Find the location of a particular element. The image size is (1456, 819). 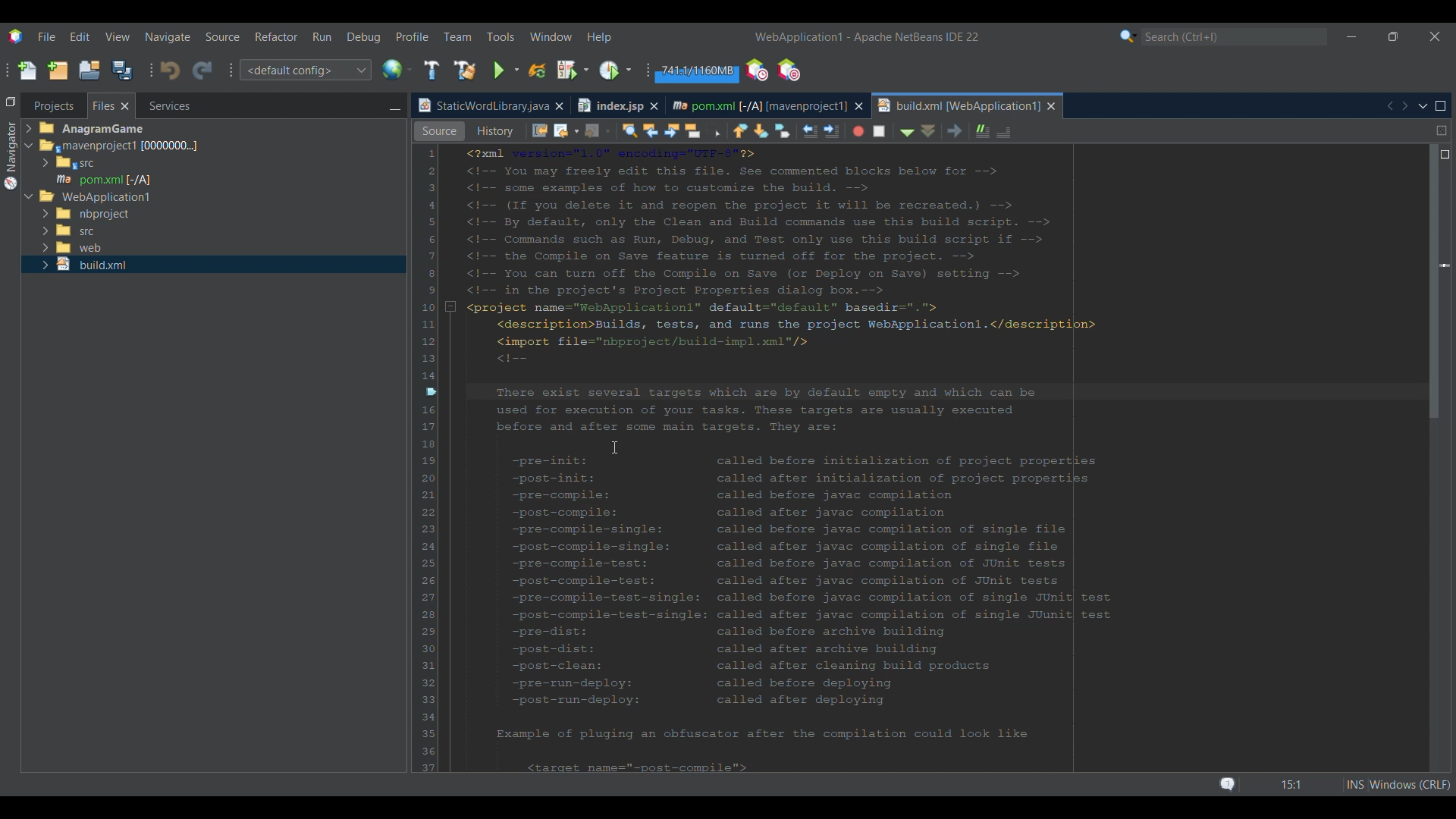

Search is located at coordinates (1235, 37).